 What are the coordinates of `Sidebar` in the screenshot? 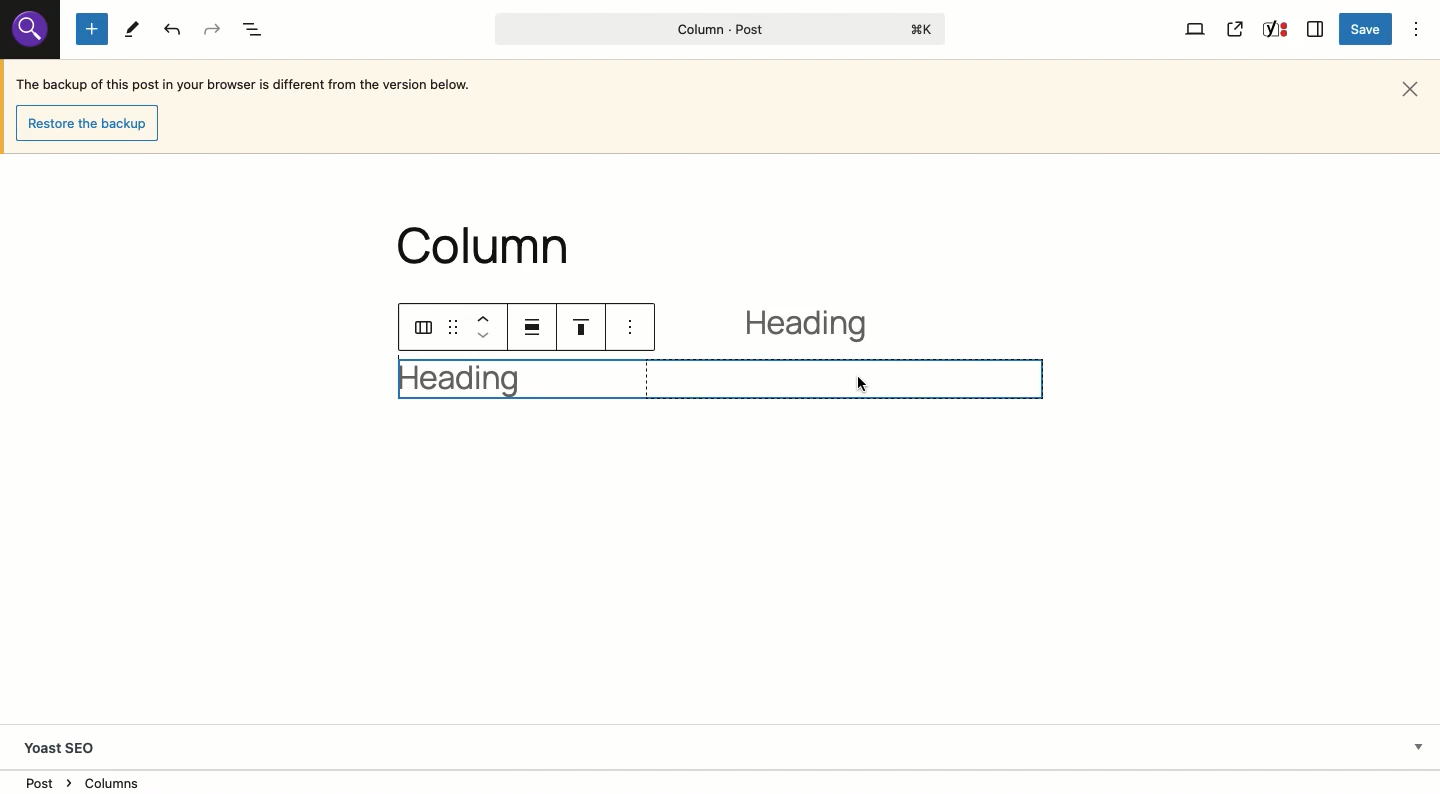 It's located at (1316, 27).